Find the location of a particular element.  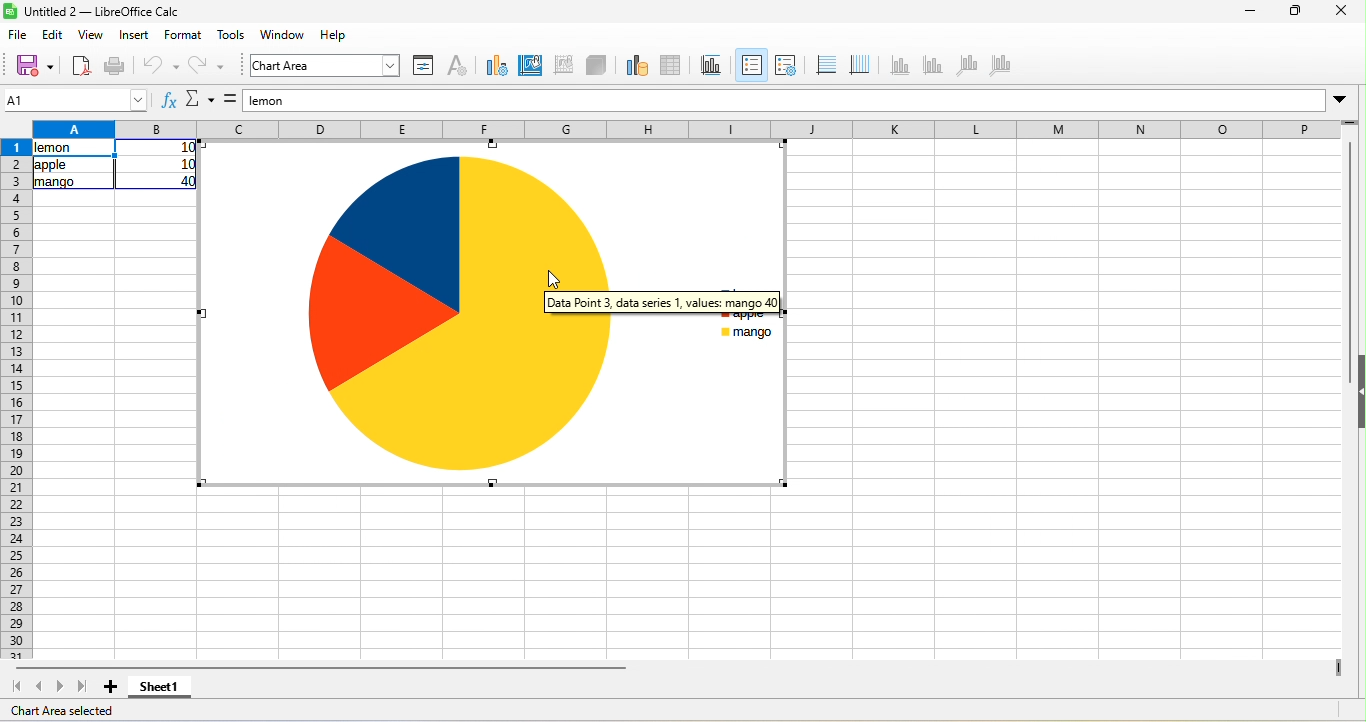

40 is located at coordinates (160, 181).